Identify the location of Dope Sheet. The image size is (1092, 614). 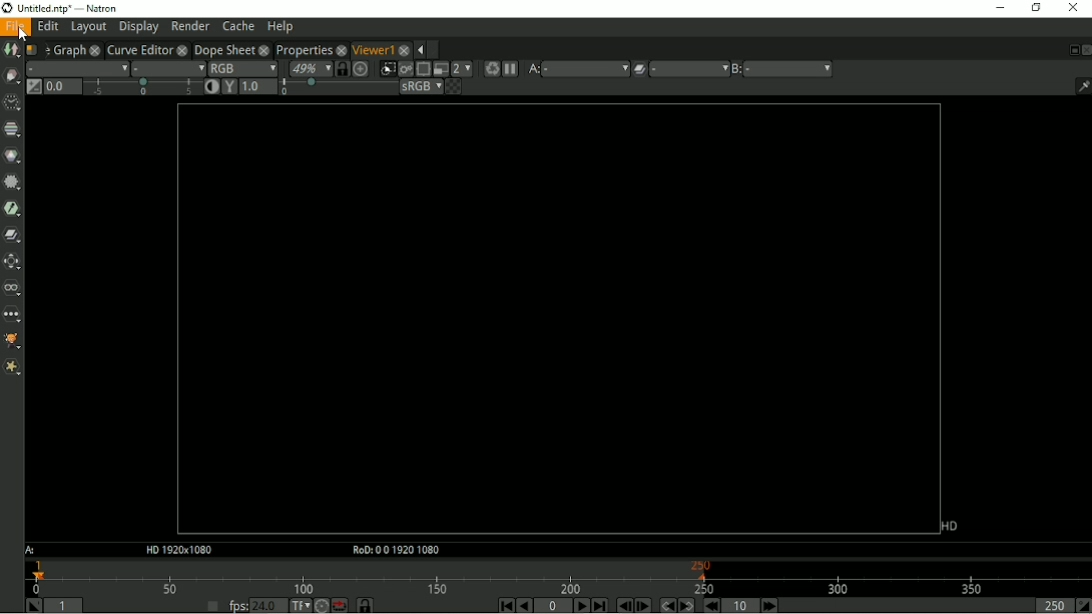
(224, 49).